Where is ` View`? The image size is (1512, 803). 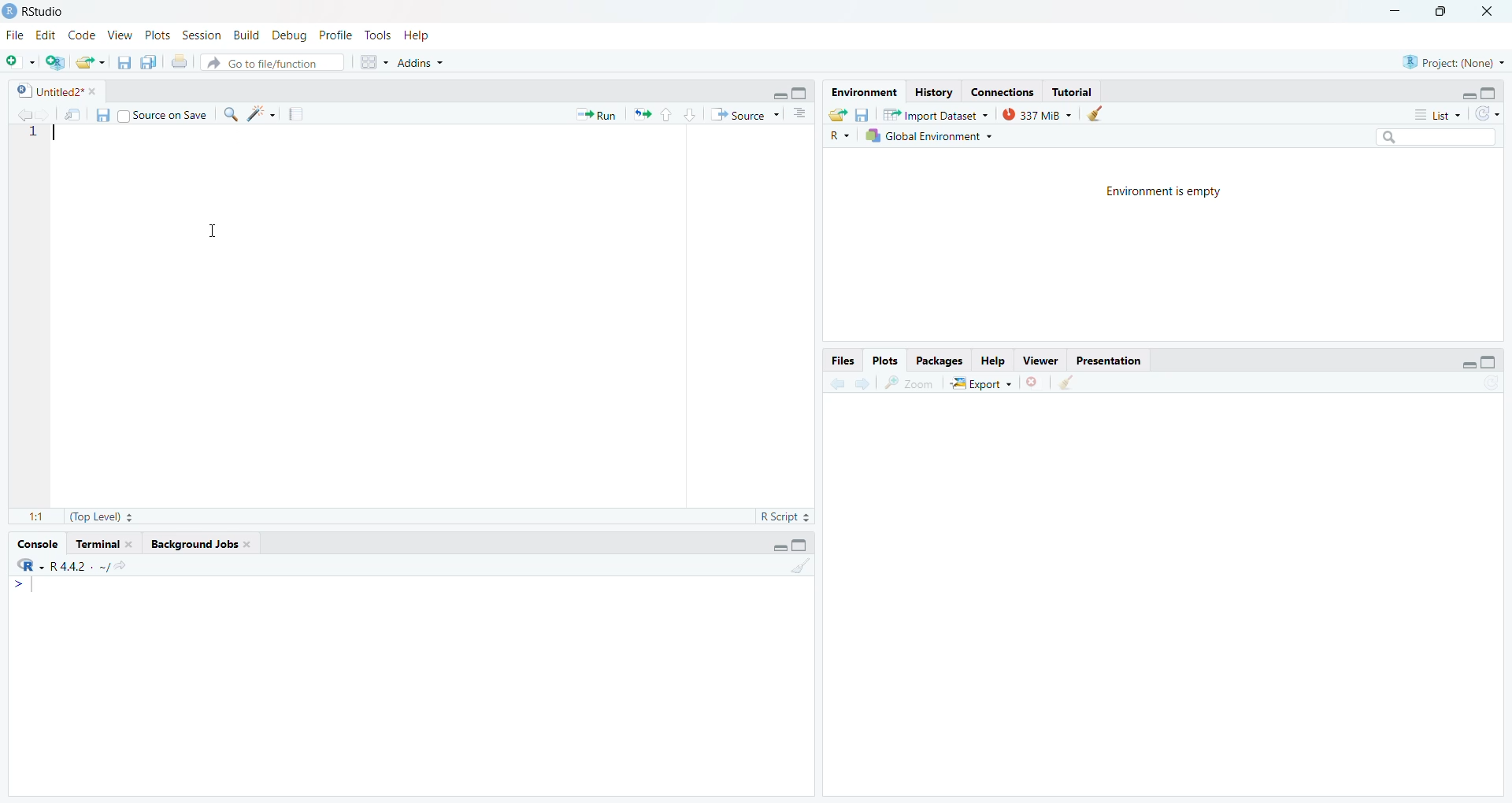
 View is located at coordinates (119, 35).